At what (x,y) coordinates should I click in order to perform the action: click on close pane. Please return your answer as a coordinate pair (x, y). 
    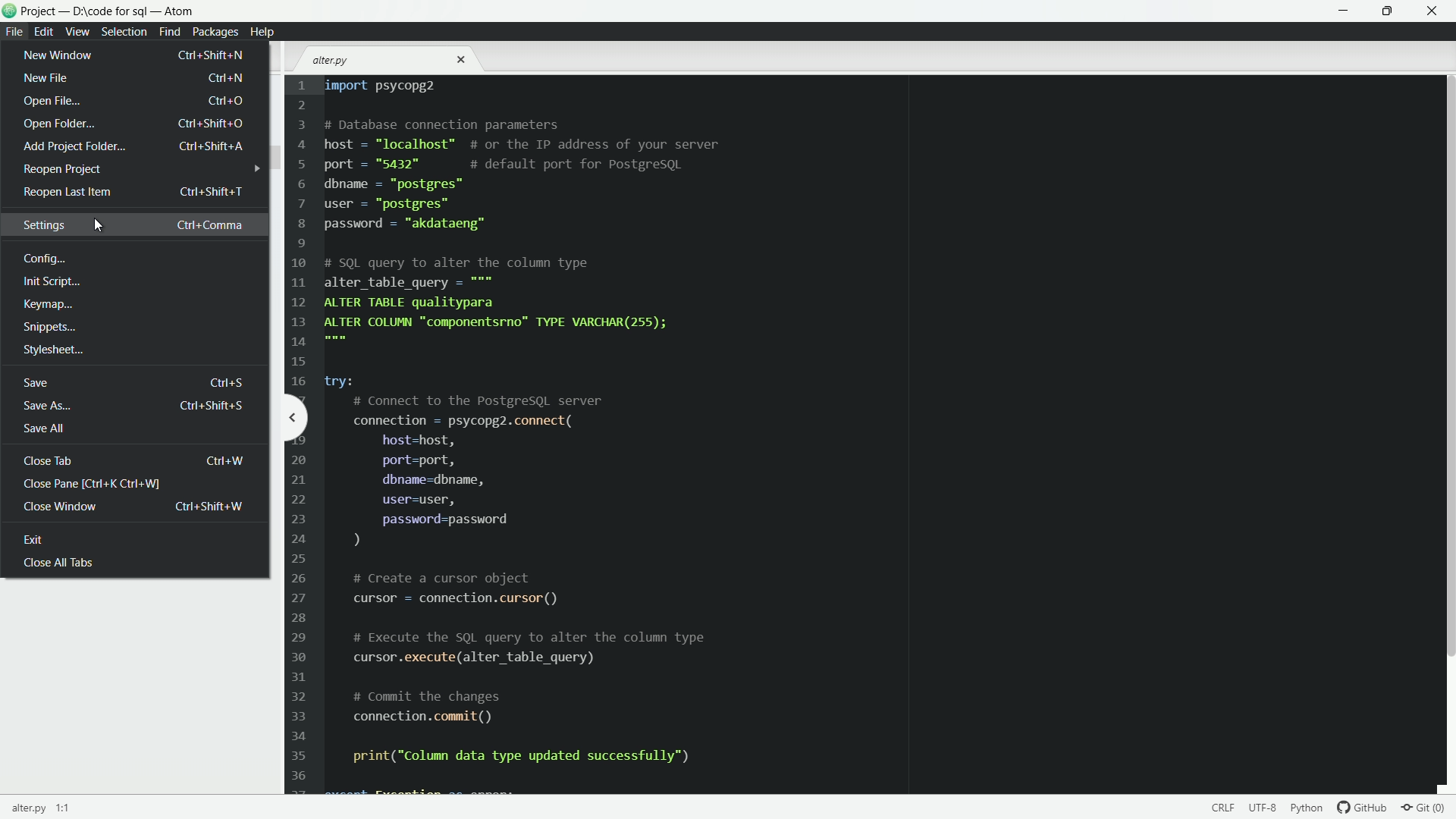
    Looking at the image, I should click on (92, 485).